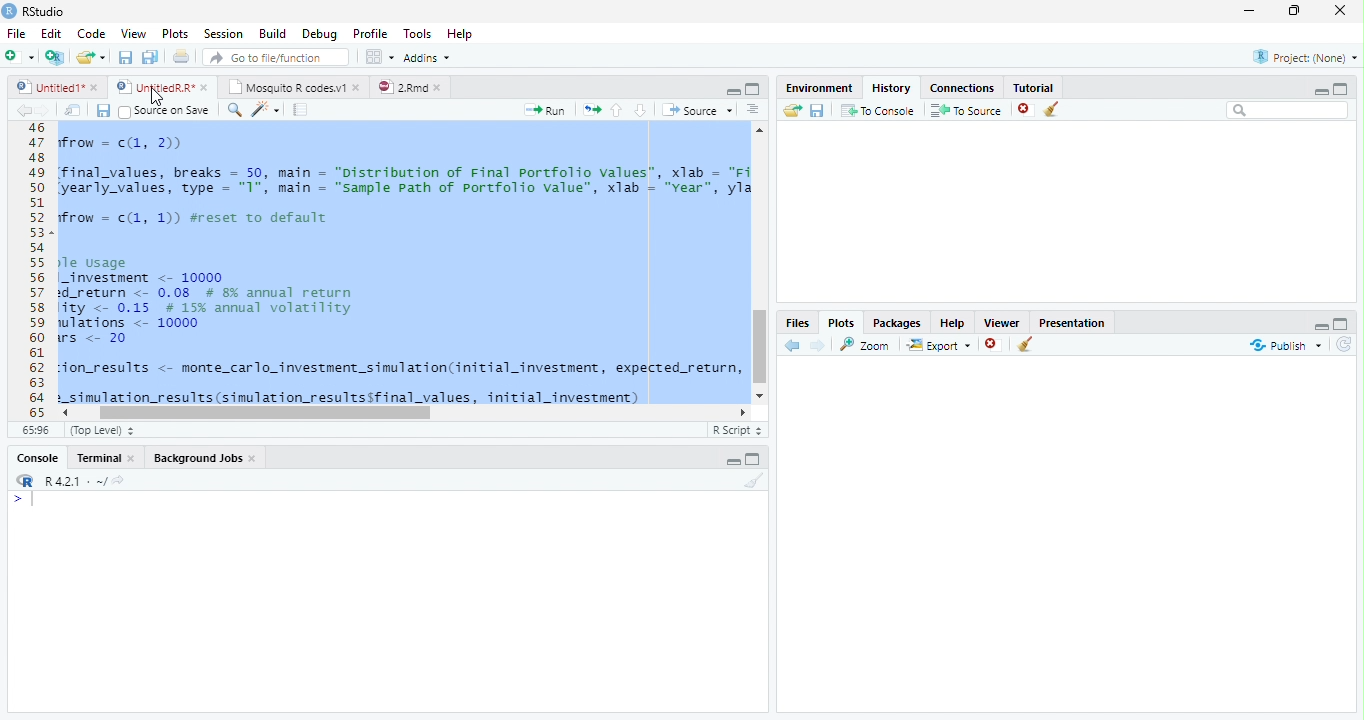  Describe the element at coordinates (64, 412) in the screenshot. I see `Scroll Left` at that location.